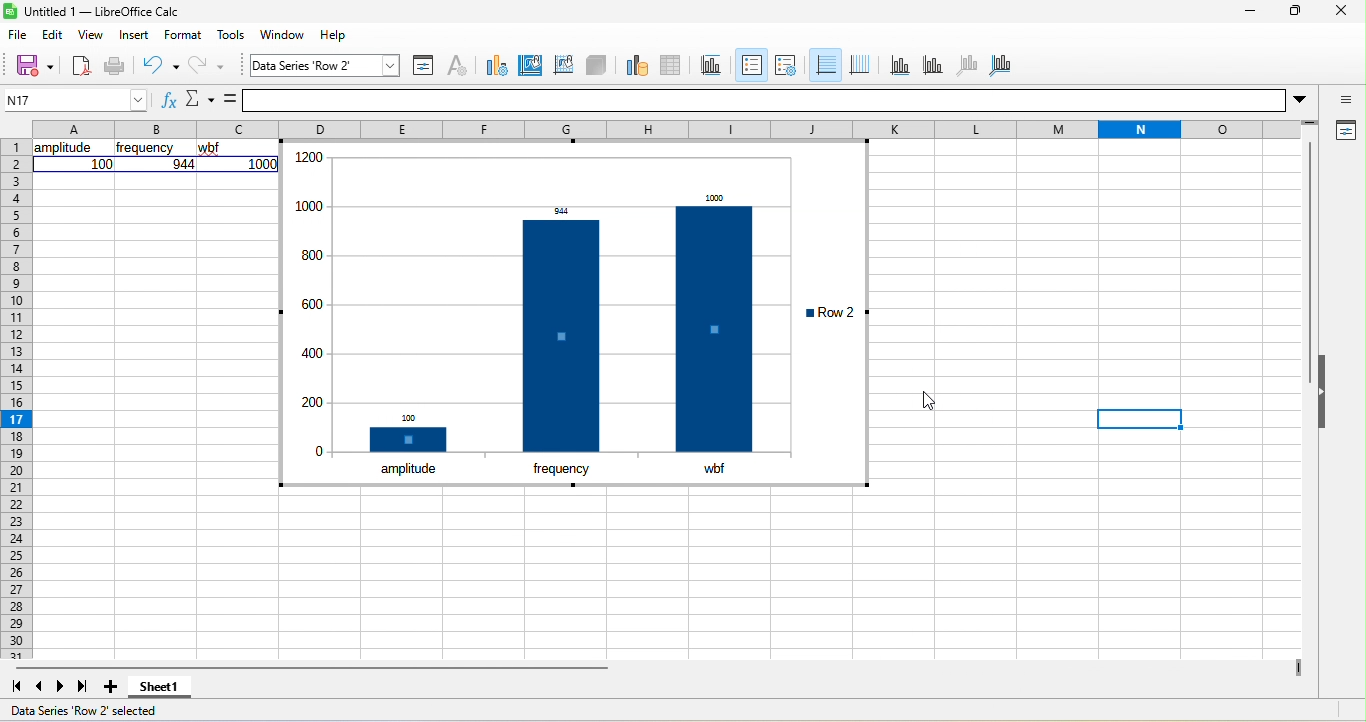 This screenshot has width=1366, height=722. Describe the element at coordinates (637, 67) in the screenshot. I see `data range` at that location.